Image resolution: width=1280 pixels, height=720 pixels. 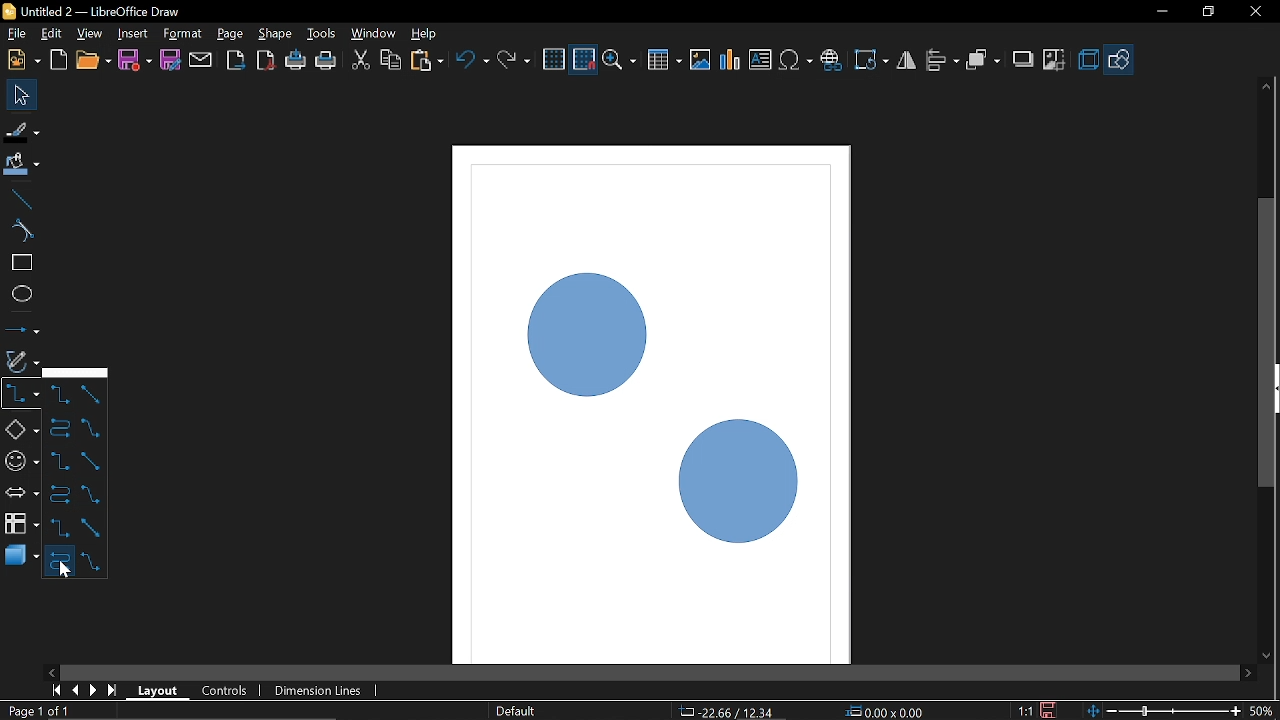 What do you see at coordinates (21, 427) in the screenshot?
I see `Basic shapes` at bounding box center [21, 427].